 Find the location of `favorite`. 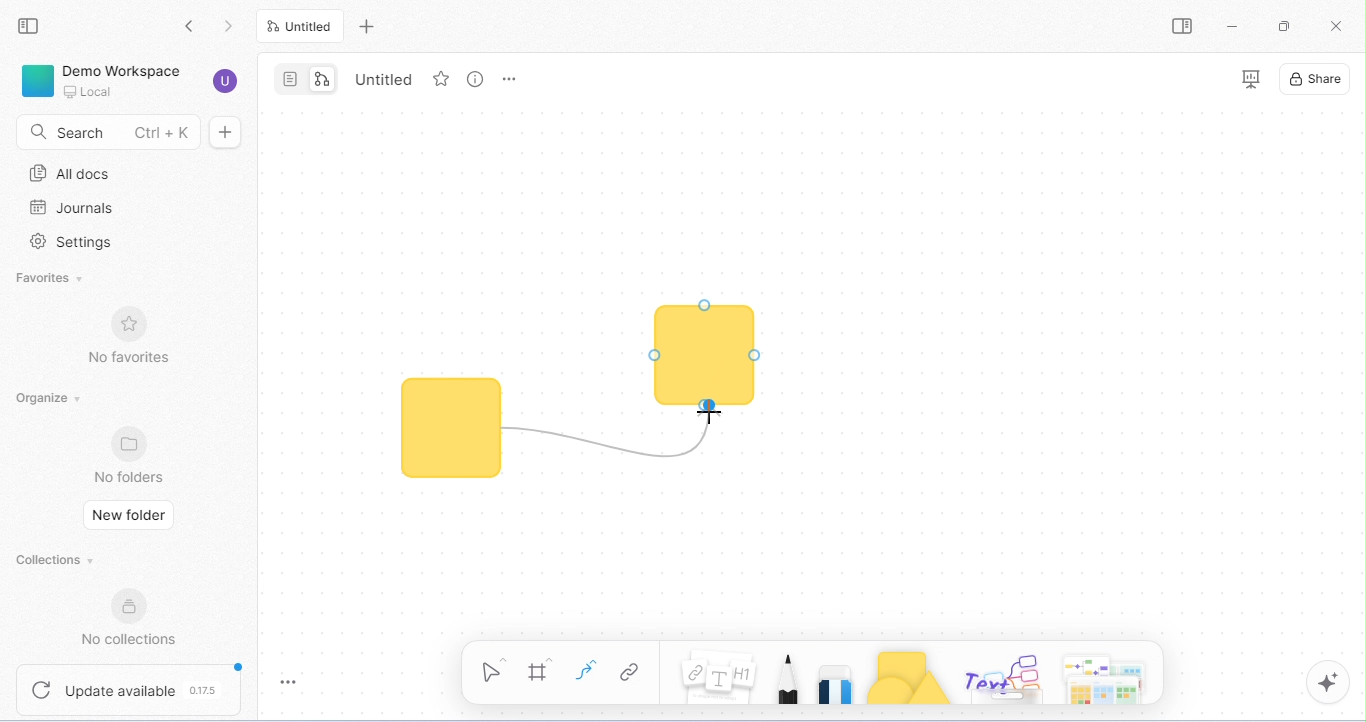

favorite is located at coordinates (441, 79).